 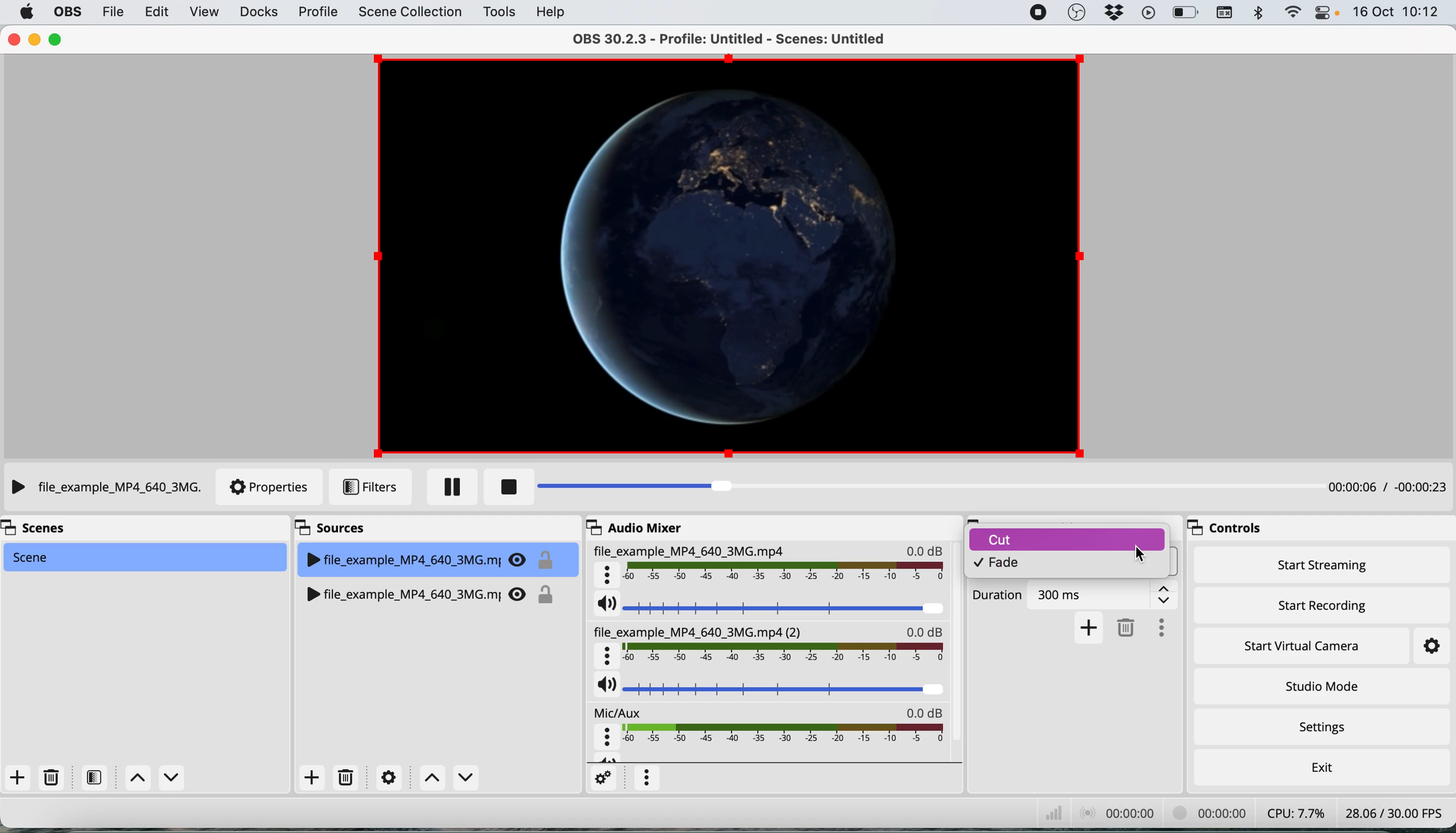 I want to click on pause, so click(x=451, y=486).